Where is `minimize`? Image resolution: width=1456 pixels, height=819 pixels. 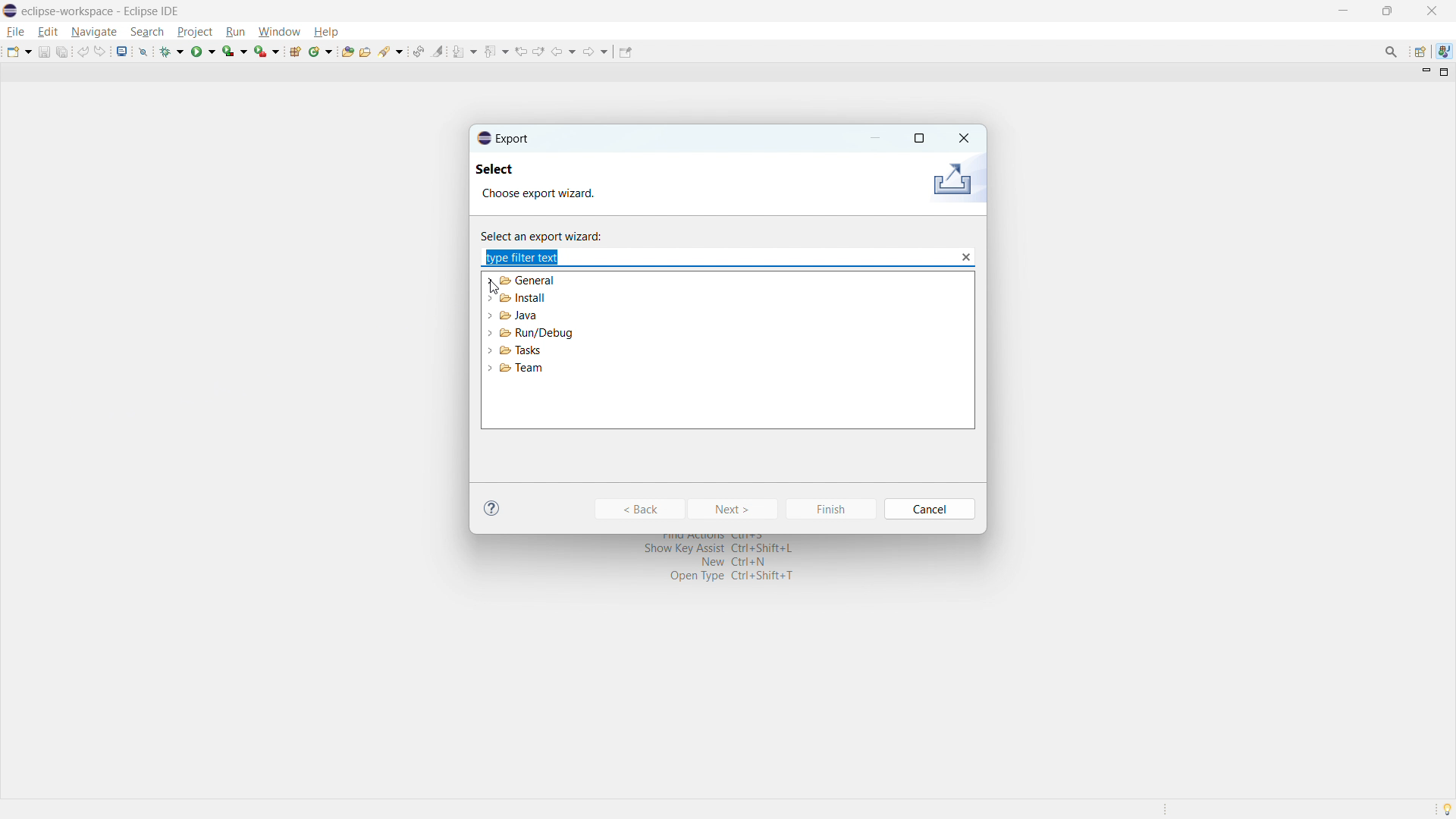
minimize is located at coordinates (877, 138).